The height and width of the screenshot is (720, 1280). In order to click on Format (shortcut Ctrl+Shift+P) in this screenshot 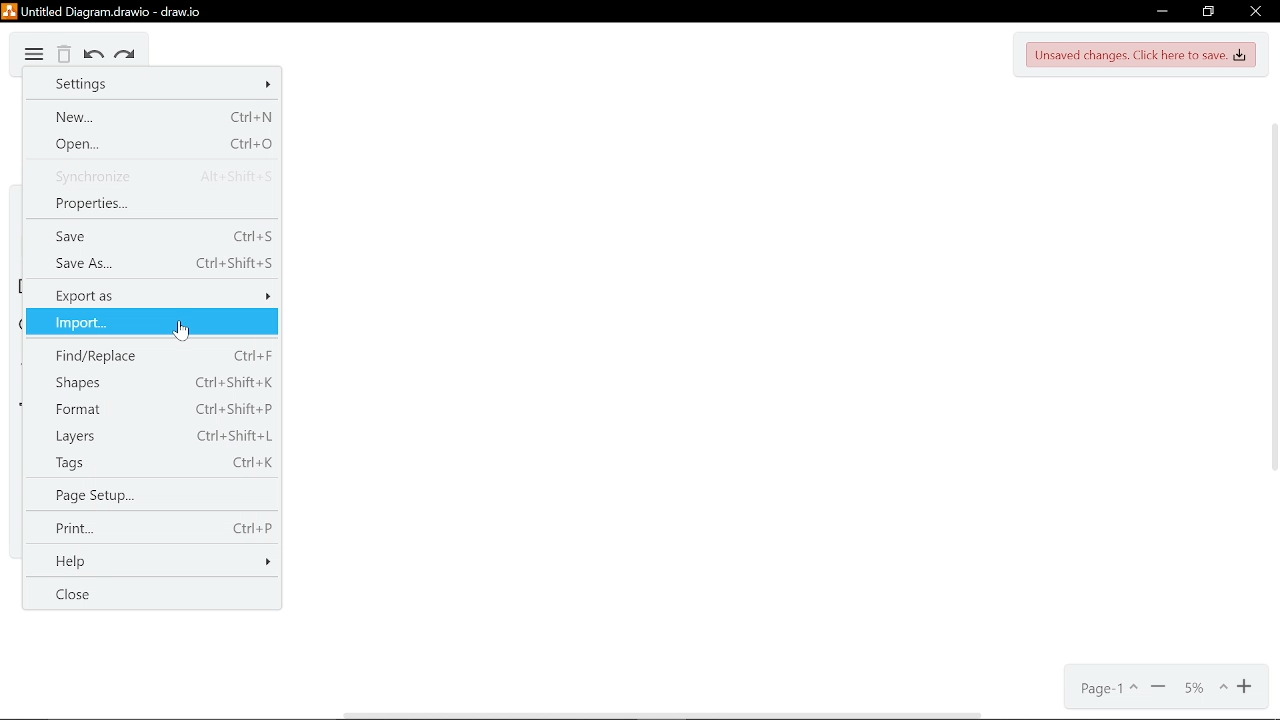, I will do `click(152, 410)`.